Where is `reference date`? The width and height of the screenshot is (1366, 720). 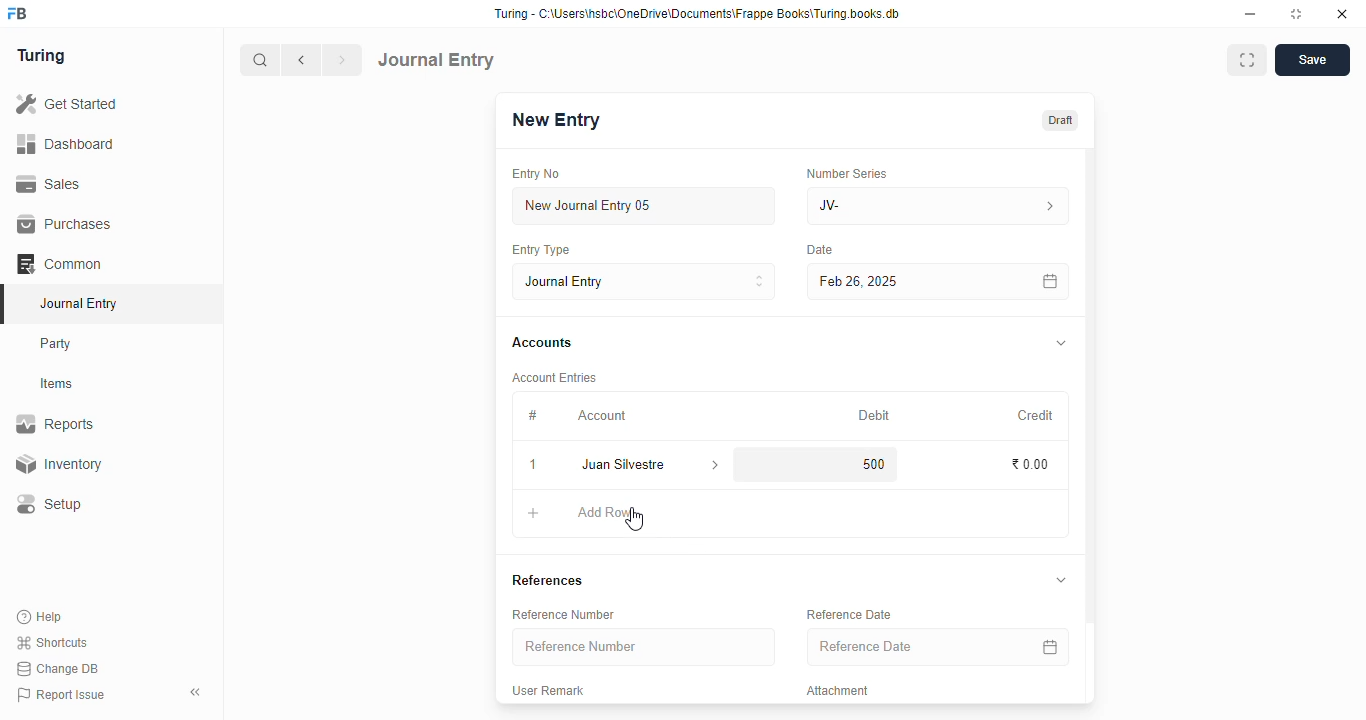
reference date is located at coordinates (909, 647).